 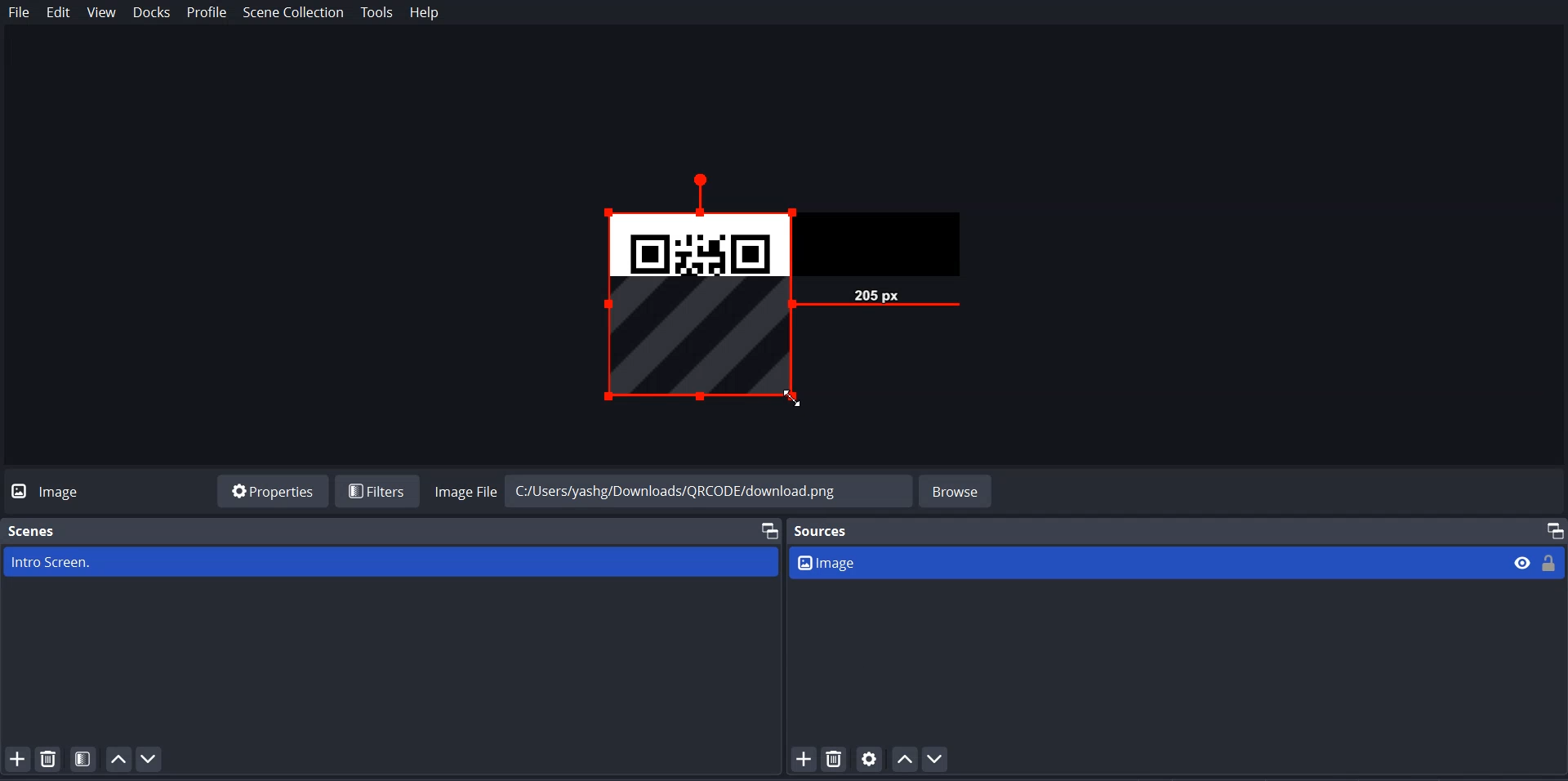 What do you see at coordinates (84, 759) in the screenshot?
I see `Open scene Filter` at bounding box center [84, 759].